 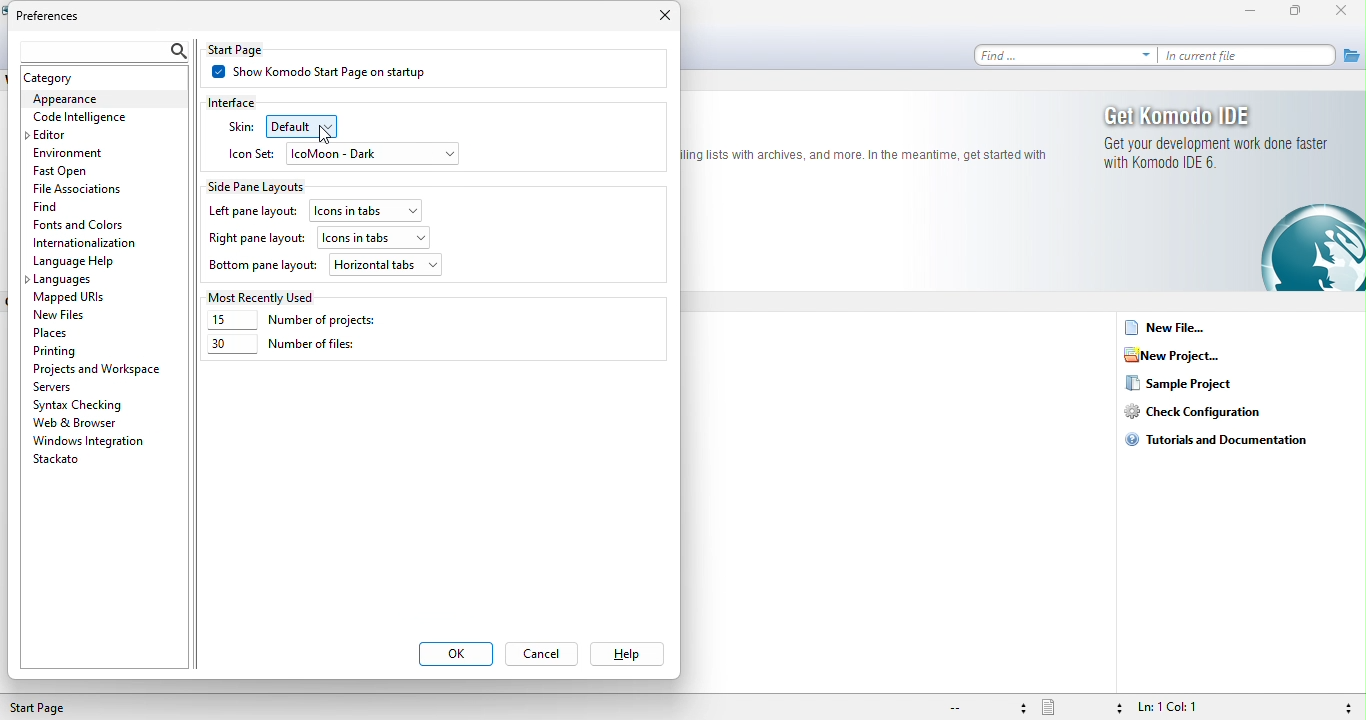 I want to click on mapped urls, so click(x=75, y=298).